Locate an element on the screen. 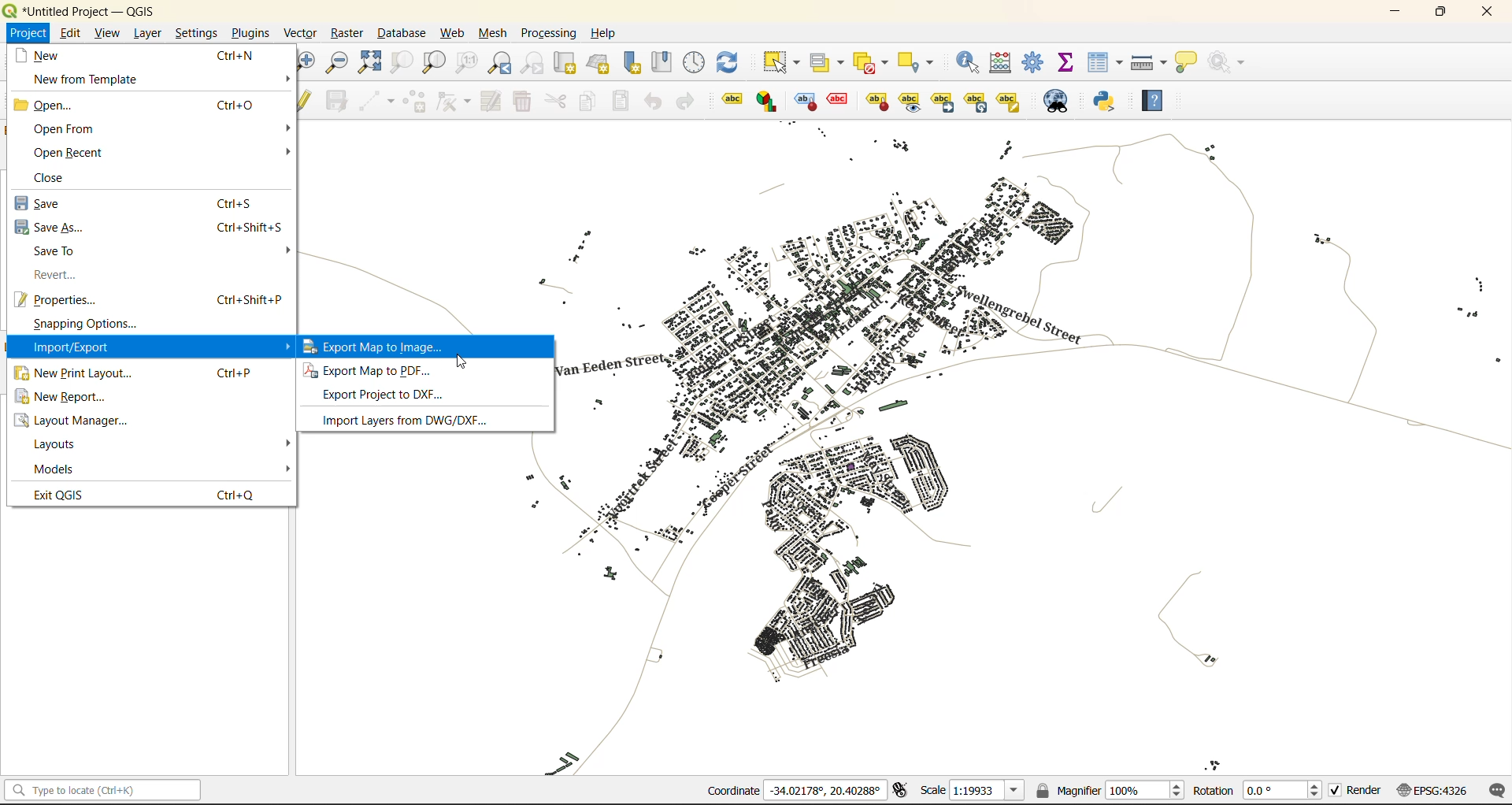 The width and height of the screenshot is (1512, 805). modify is located at coordinates (487, 101).